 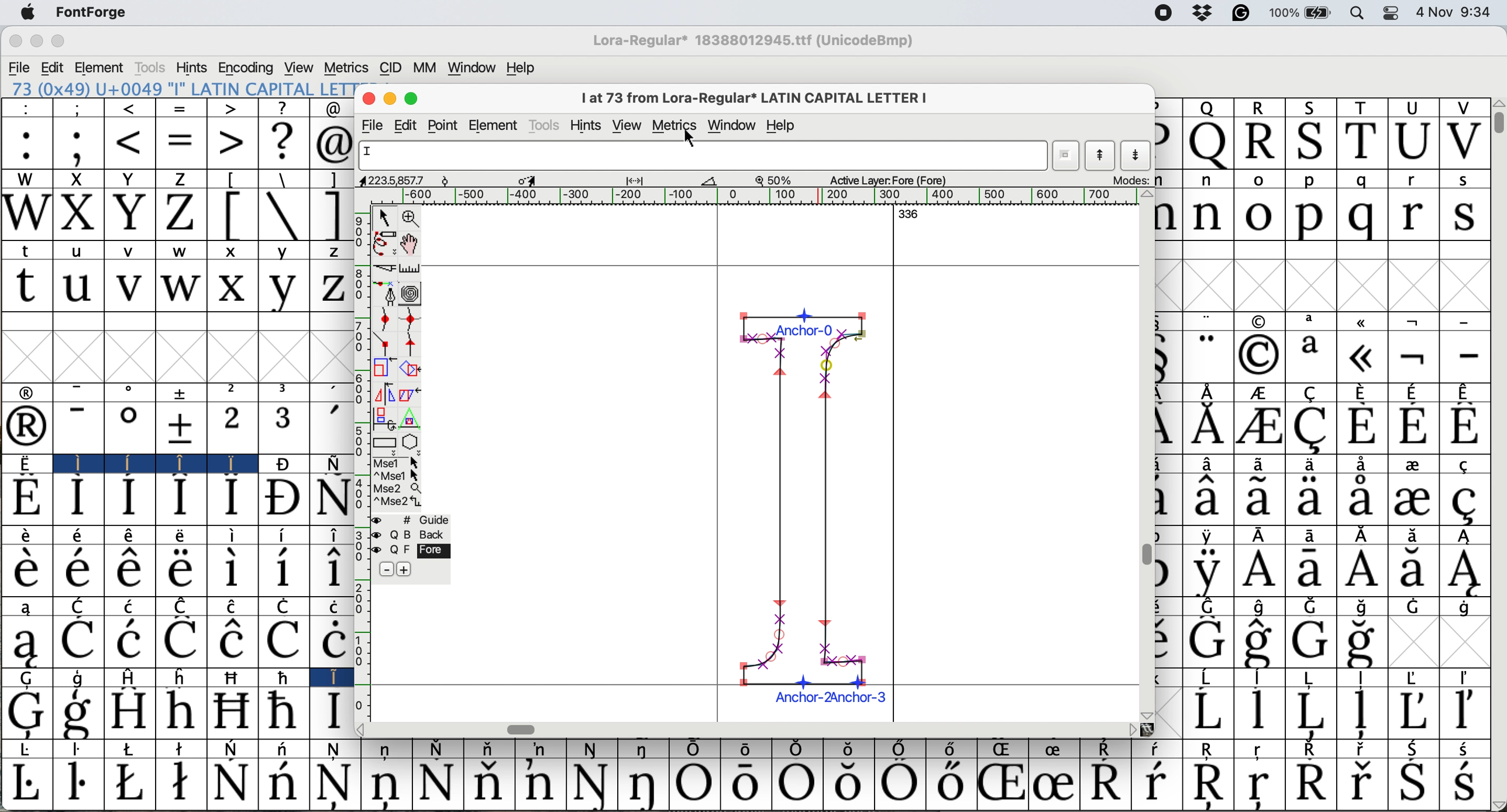 What do you see at coordinates (283, 251) in the screenshot?
I see `y` at bounding box center [283, 251].